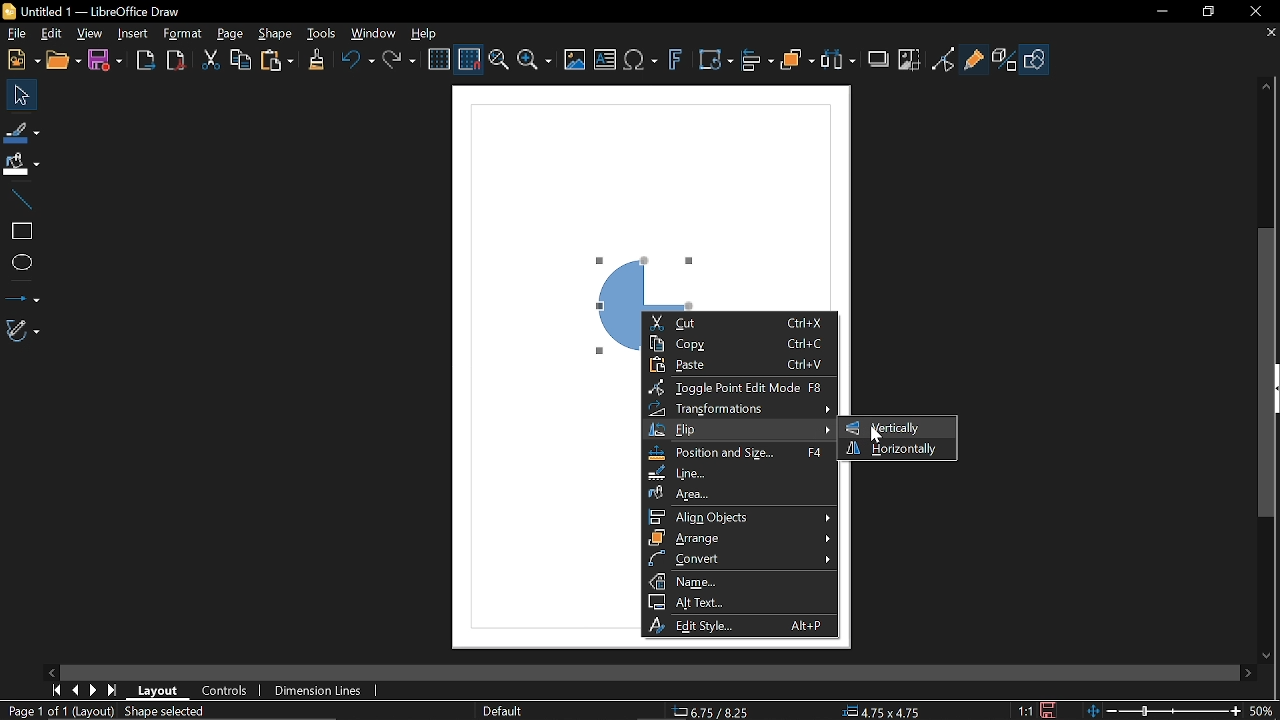 The height and width of the screenshot is (720, 1280). I want to click on Zoom and pan, so click(498, 62).